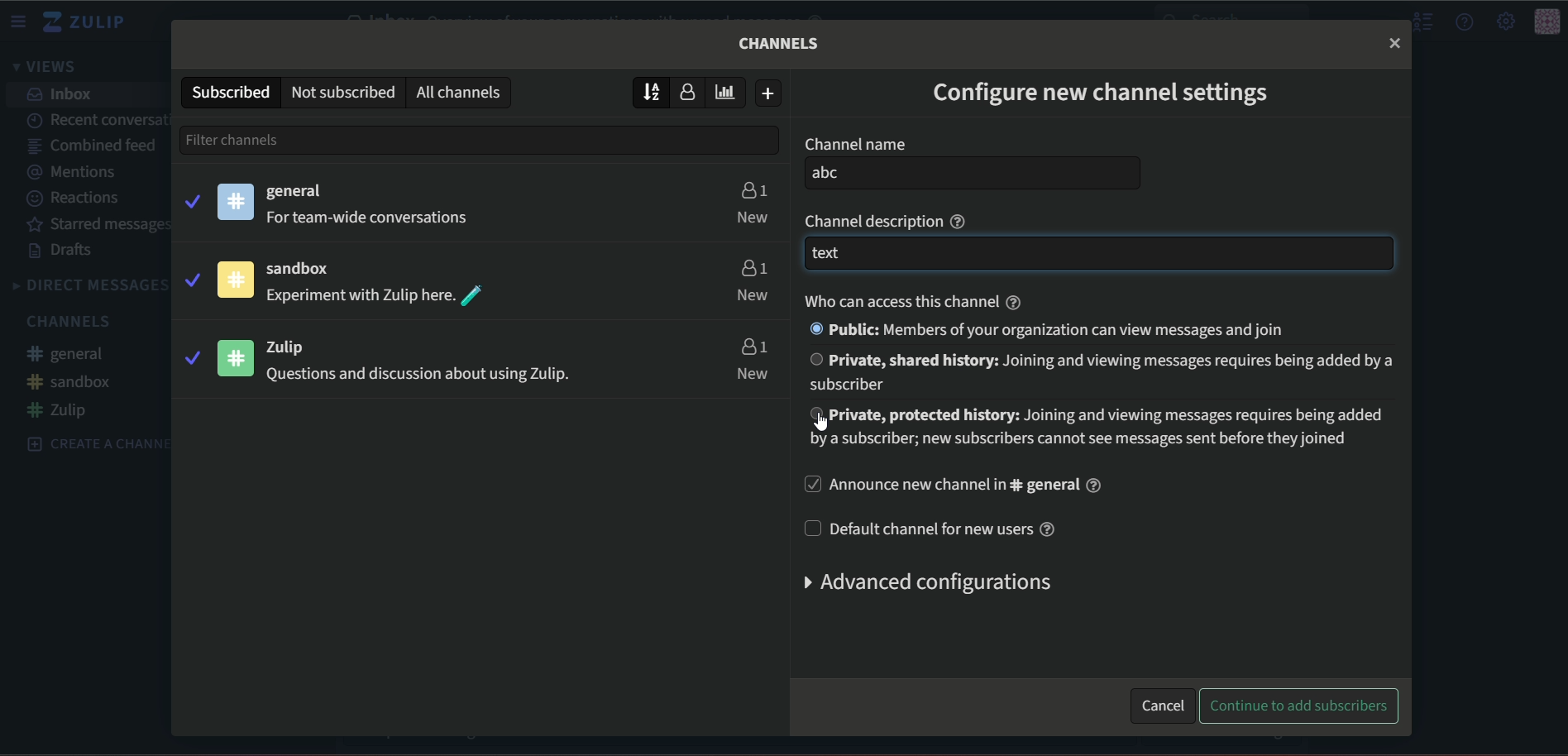 This screenshot has width=1568, height=756. What do you see at coordinates (1465, 22) in the screenshot?
I see `help menu` at bounding box center [1465, 22].